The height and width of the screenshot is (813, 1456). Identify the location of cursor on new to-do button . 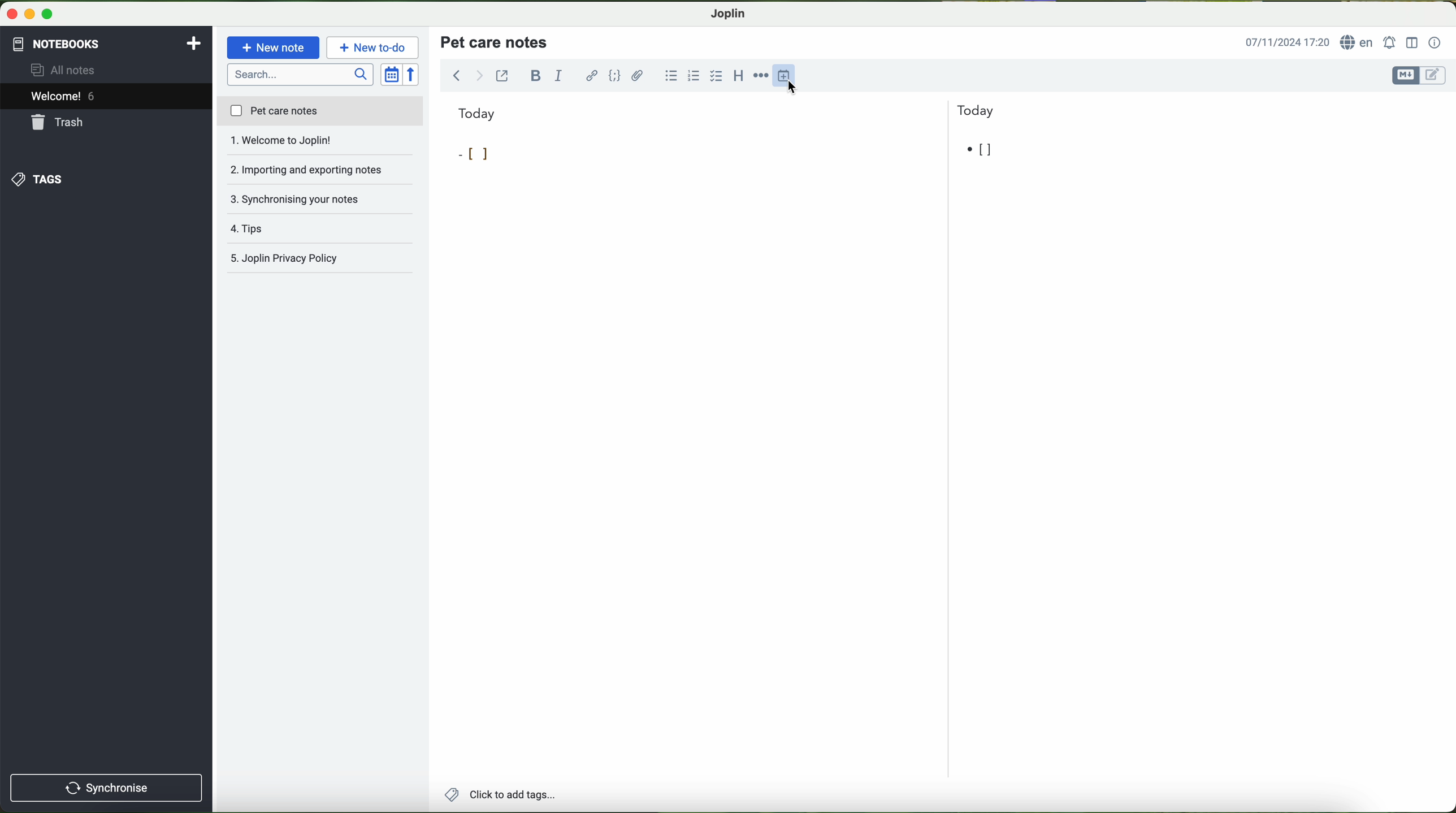
(374, 48).